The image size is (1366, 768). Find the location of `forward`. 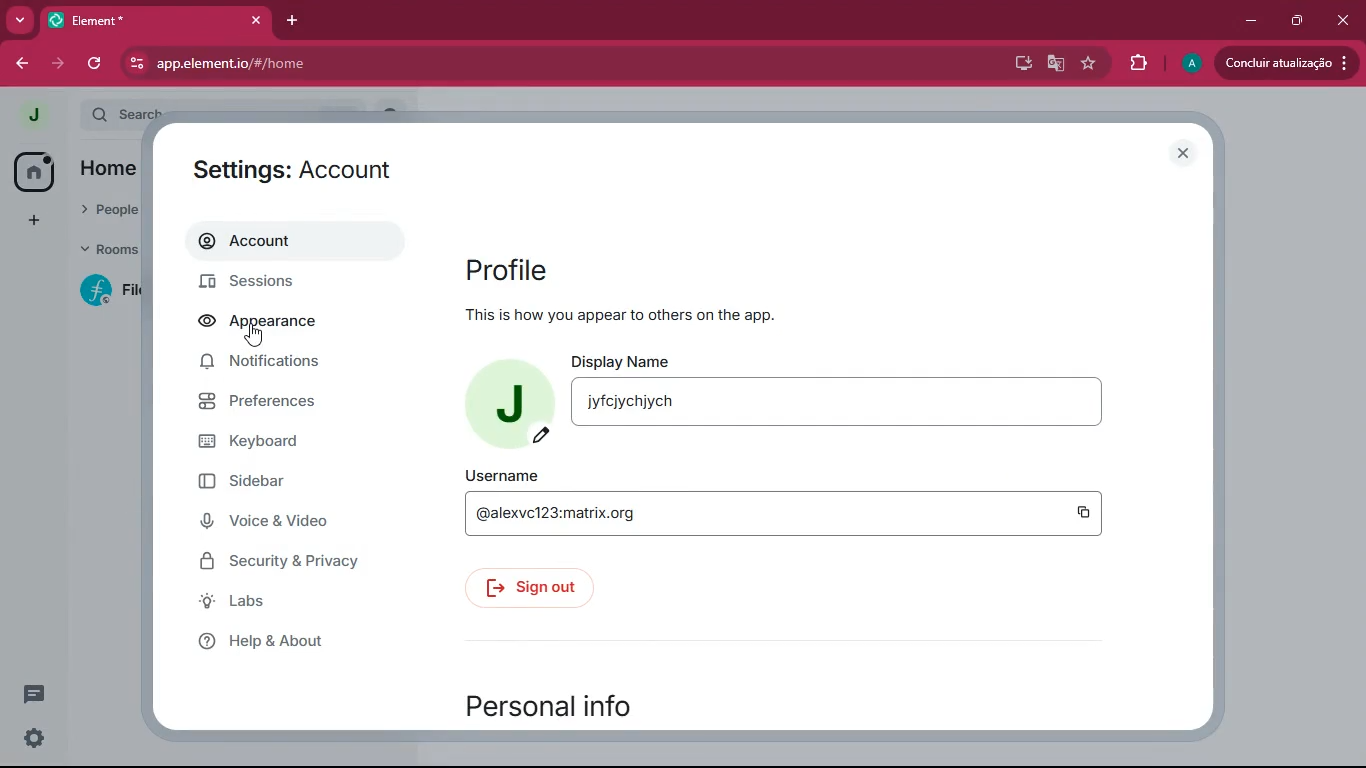

forward is located at coordinates (61, 64).